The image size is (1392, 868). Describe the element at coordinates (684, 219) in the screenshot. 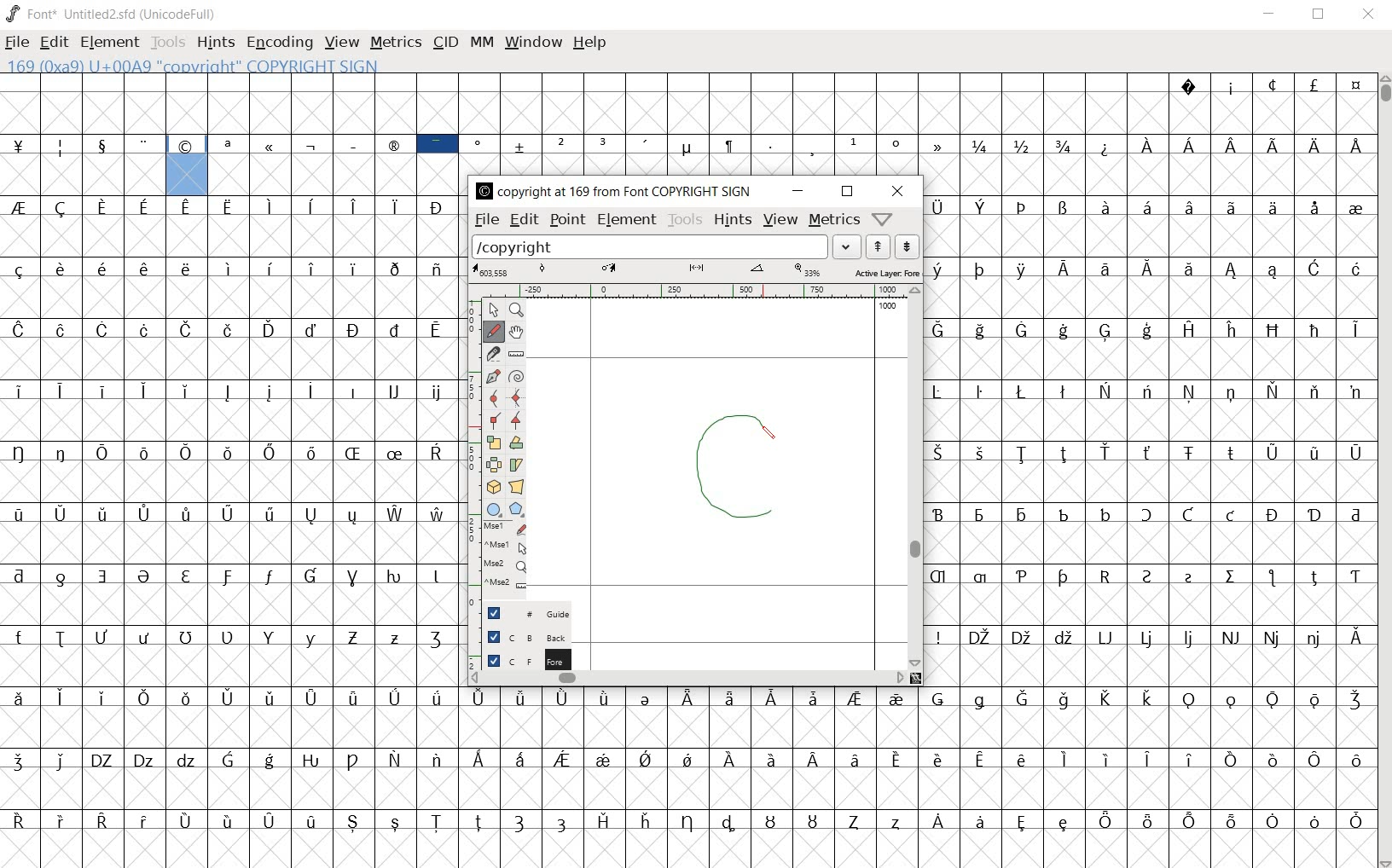

I see `tools` at that location.